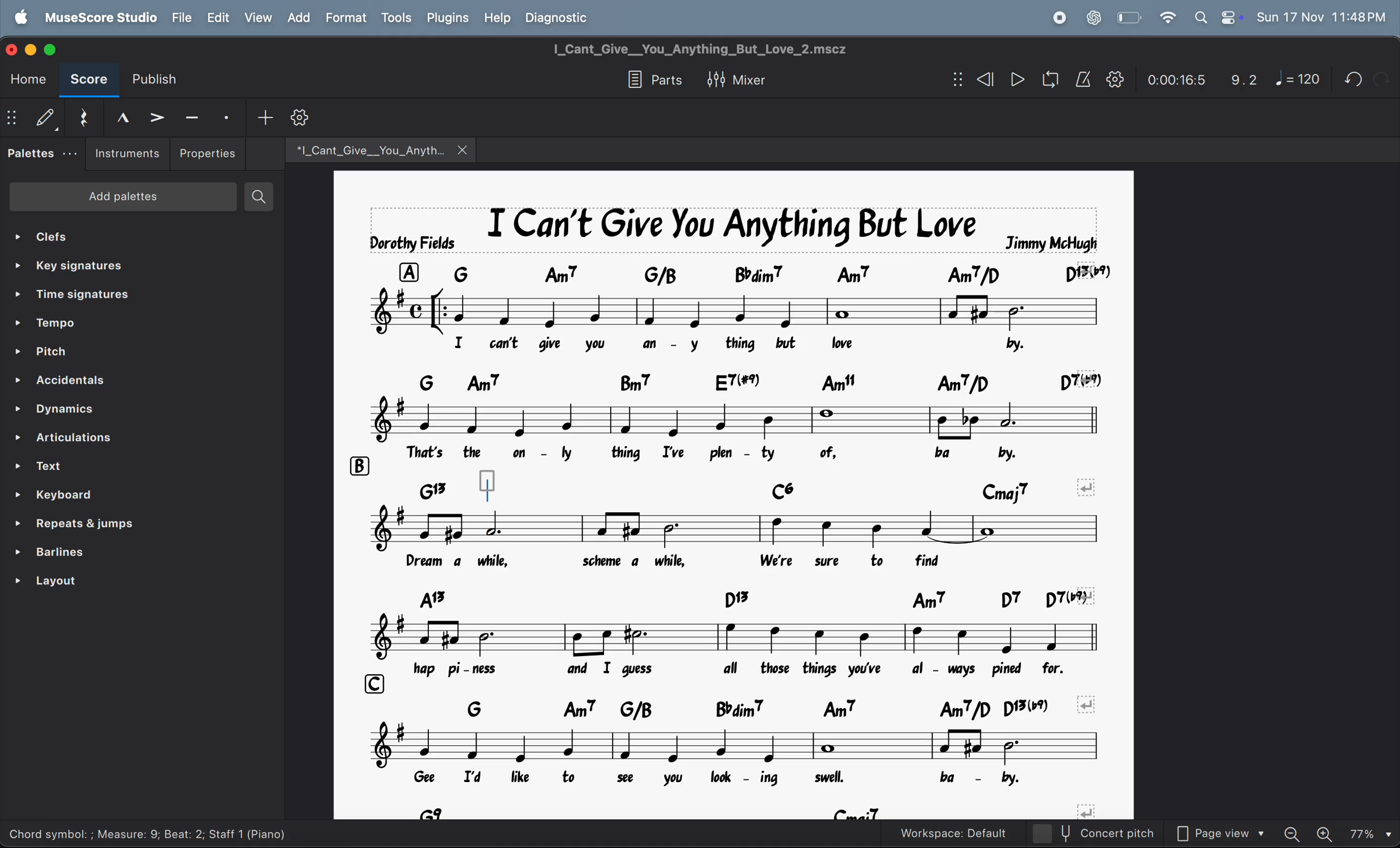  Describe the element at coordinates (84, 119) in the screenshot. I see `reset` at that location.